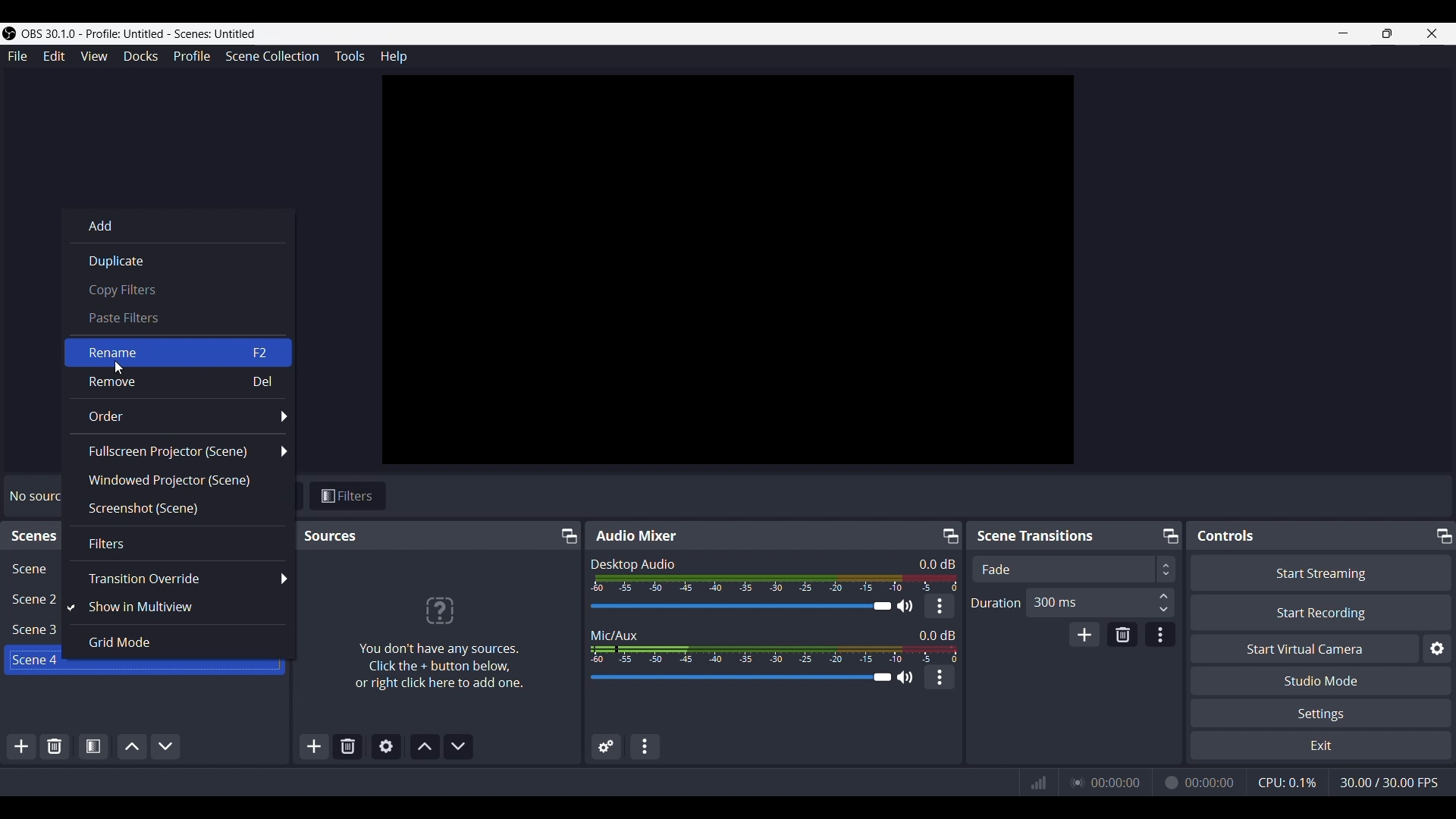  What do you see at coordinates (1159, 635) in the screenshot?
I see `Transition properties` at bounding box center [1159, 635].